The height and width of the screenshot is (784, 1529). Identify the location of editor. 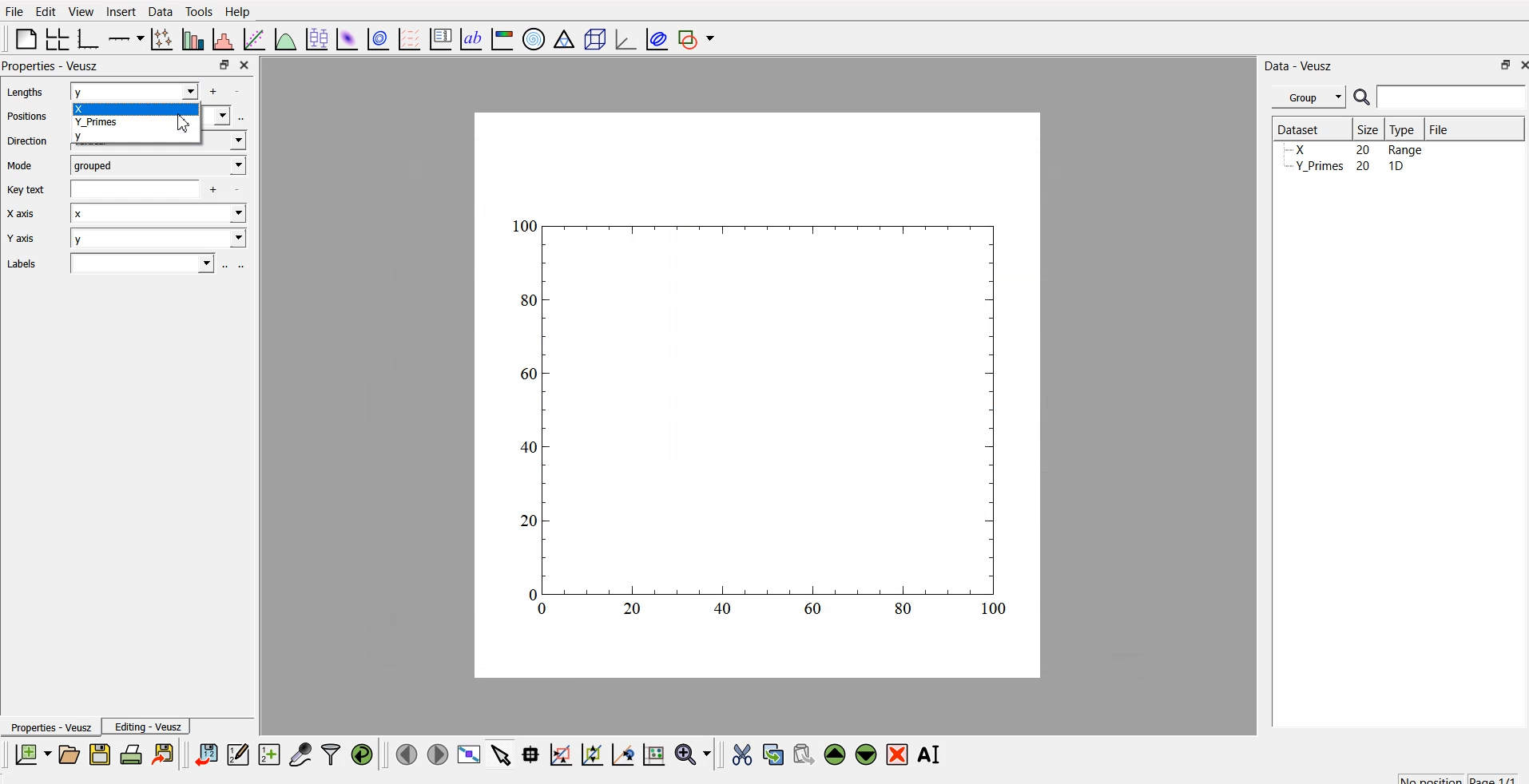
(239, 754).